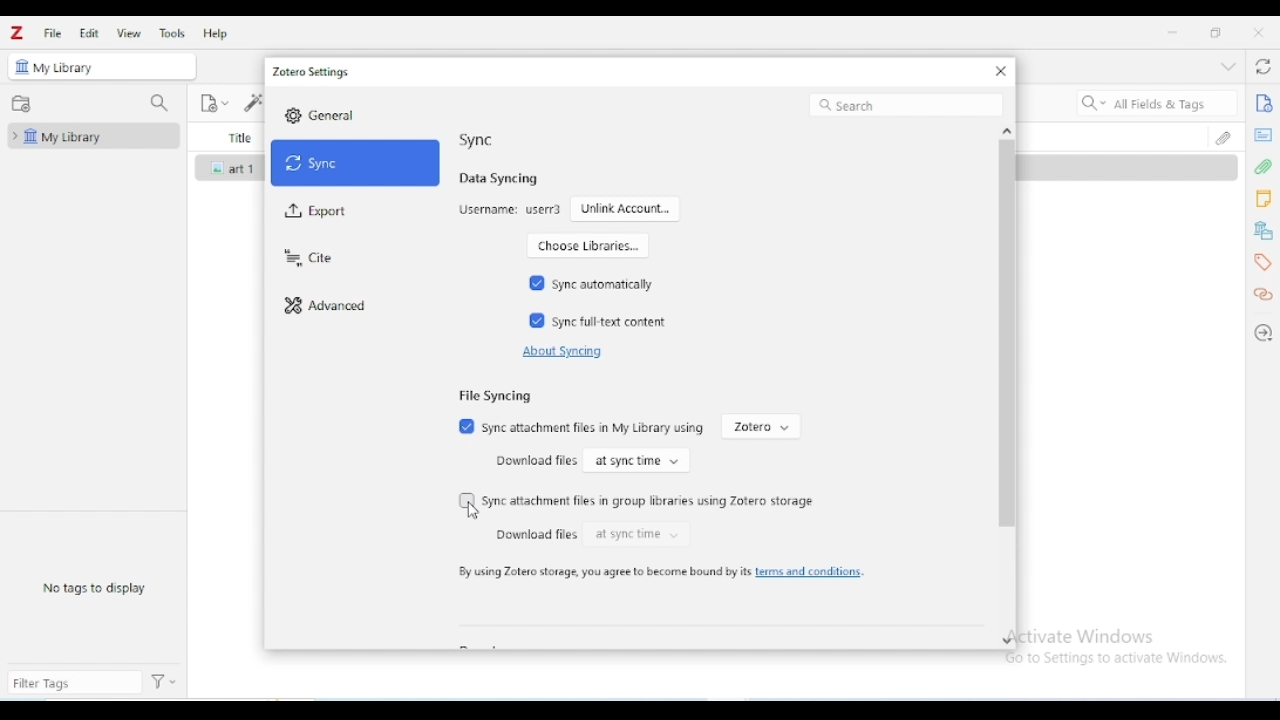 The height and width of the screenshot is (720, 1280). What do you see at coordinates (215, 33) in the screenshot?
I see `help` at bounding box center [215, 33].